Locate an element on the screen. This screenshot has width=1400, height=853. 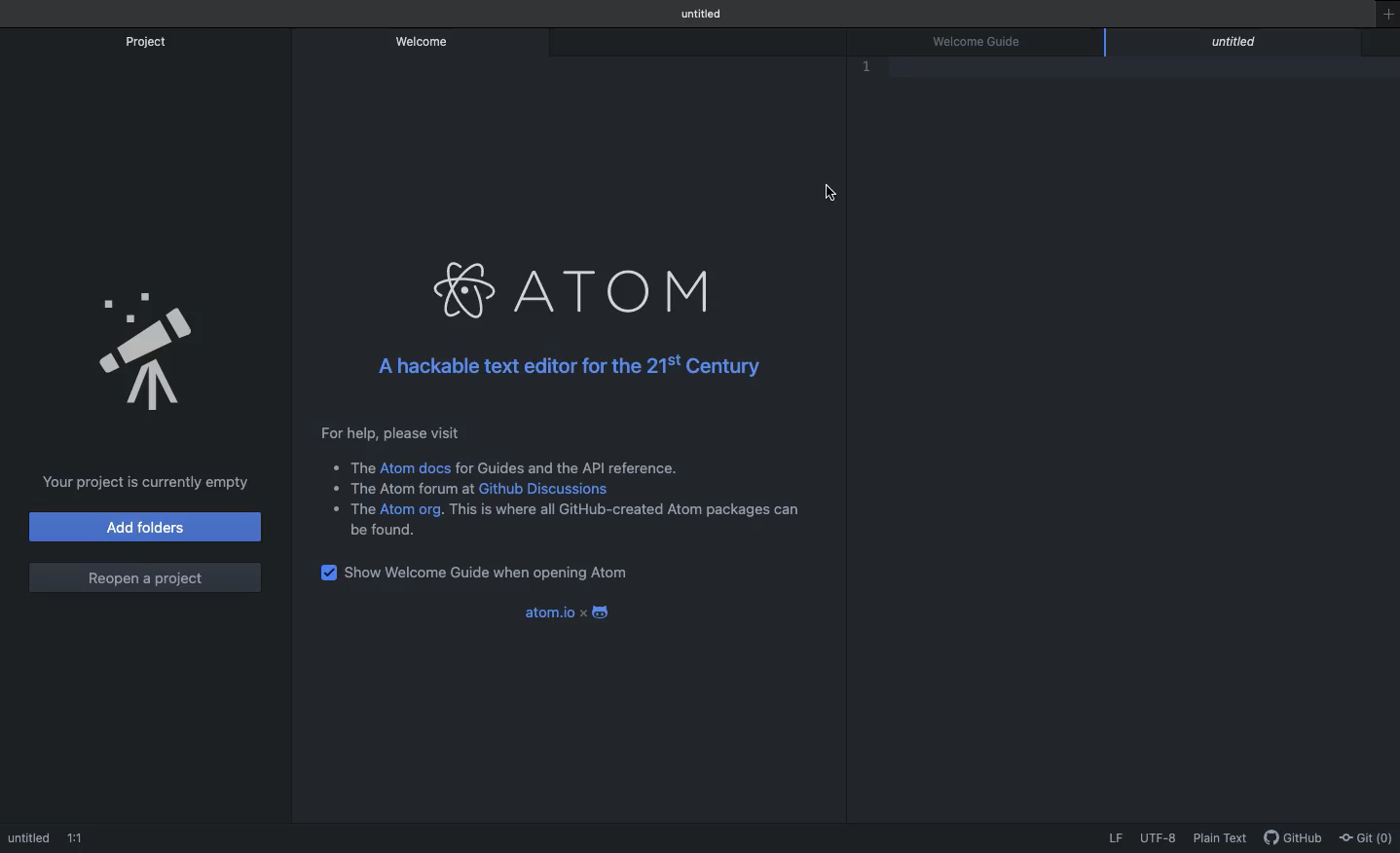
be found. is located at coordinates (380, 531).